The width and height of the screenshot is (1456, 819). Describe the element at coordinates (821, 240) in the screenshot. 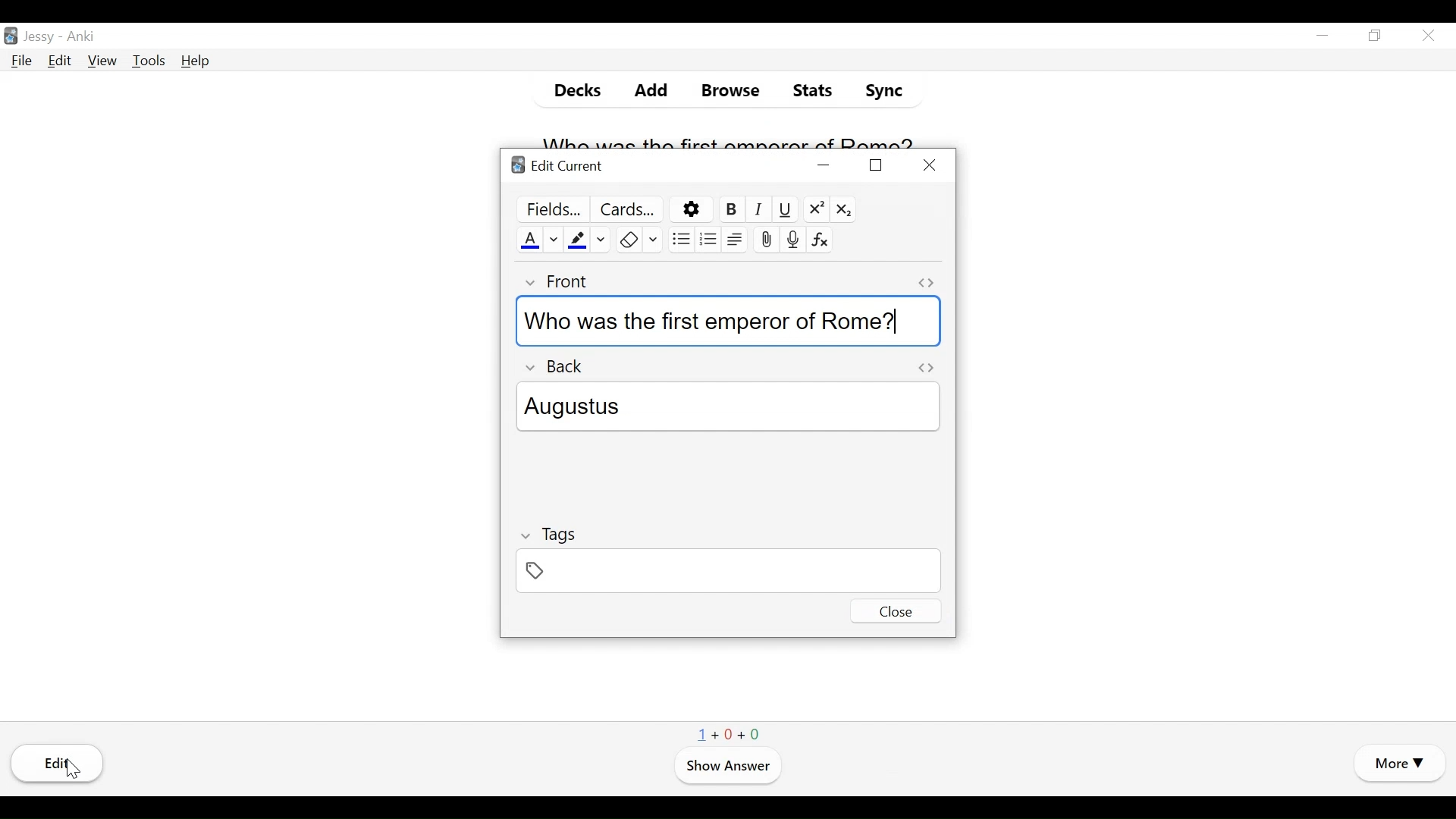

I see `Equations` at that location.